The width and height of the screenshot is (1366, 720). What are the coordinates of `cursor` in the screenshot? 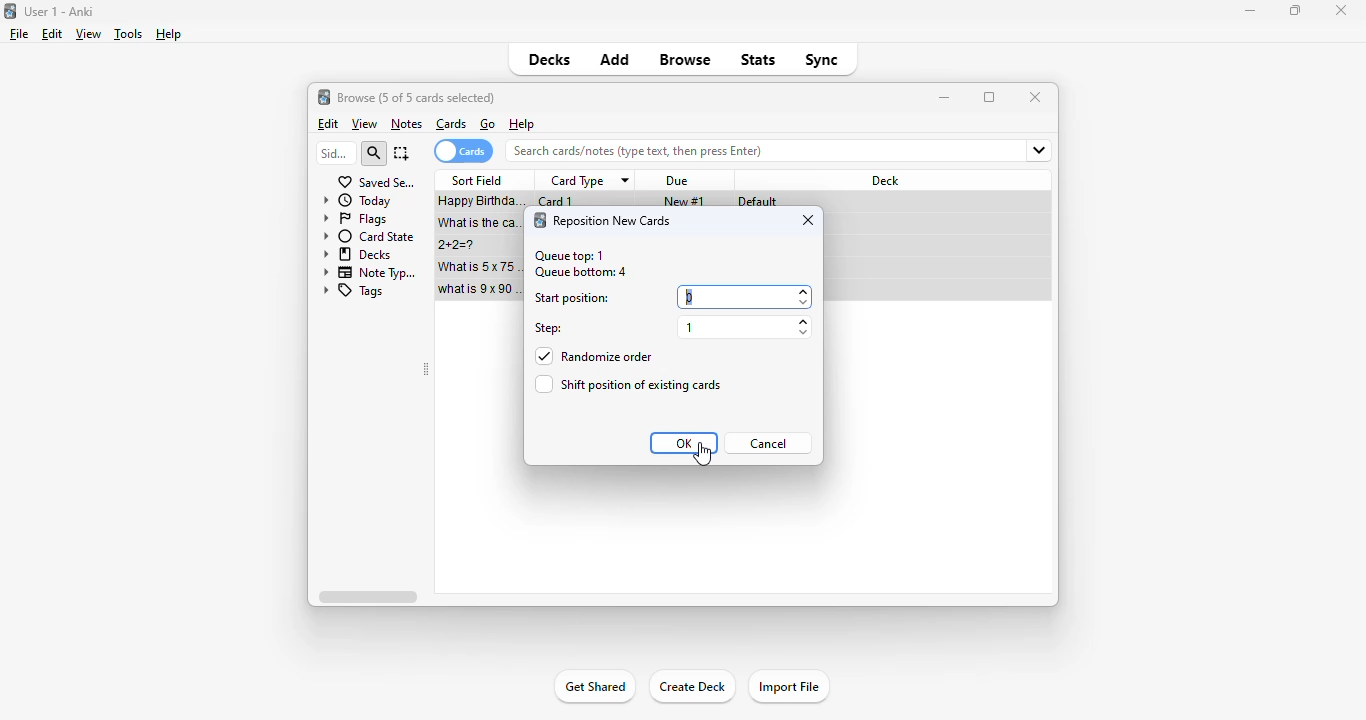 It's located at (703, 454).